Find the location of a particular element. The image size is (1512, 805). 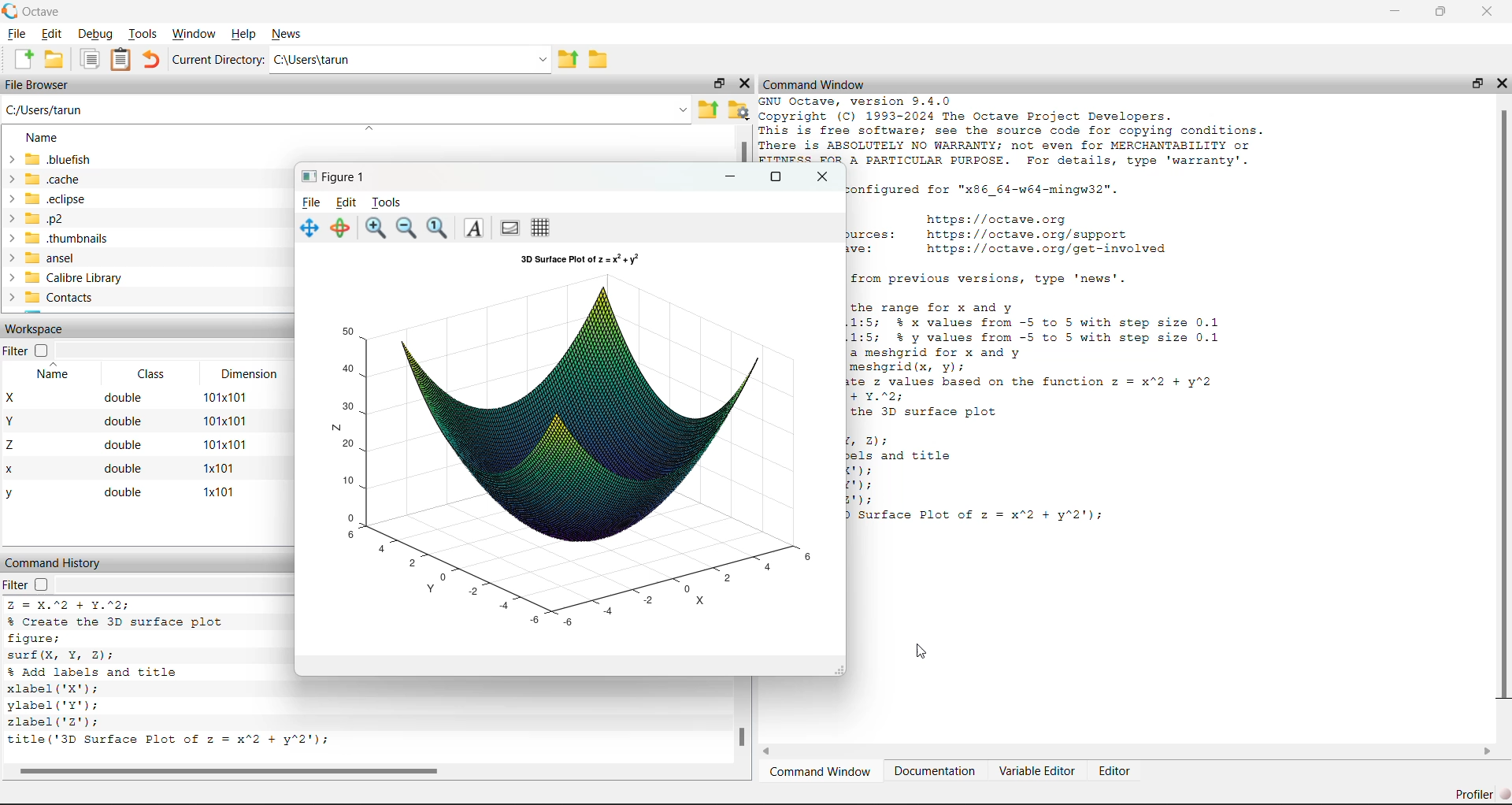

For changes from previous versions, type 'news'. is located at coordinates (989, 278).